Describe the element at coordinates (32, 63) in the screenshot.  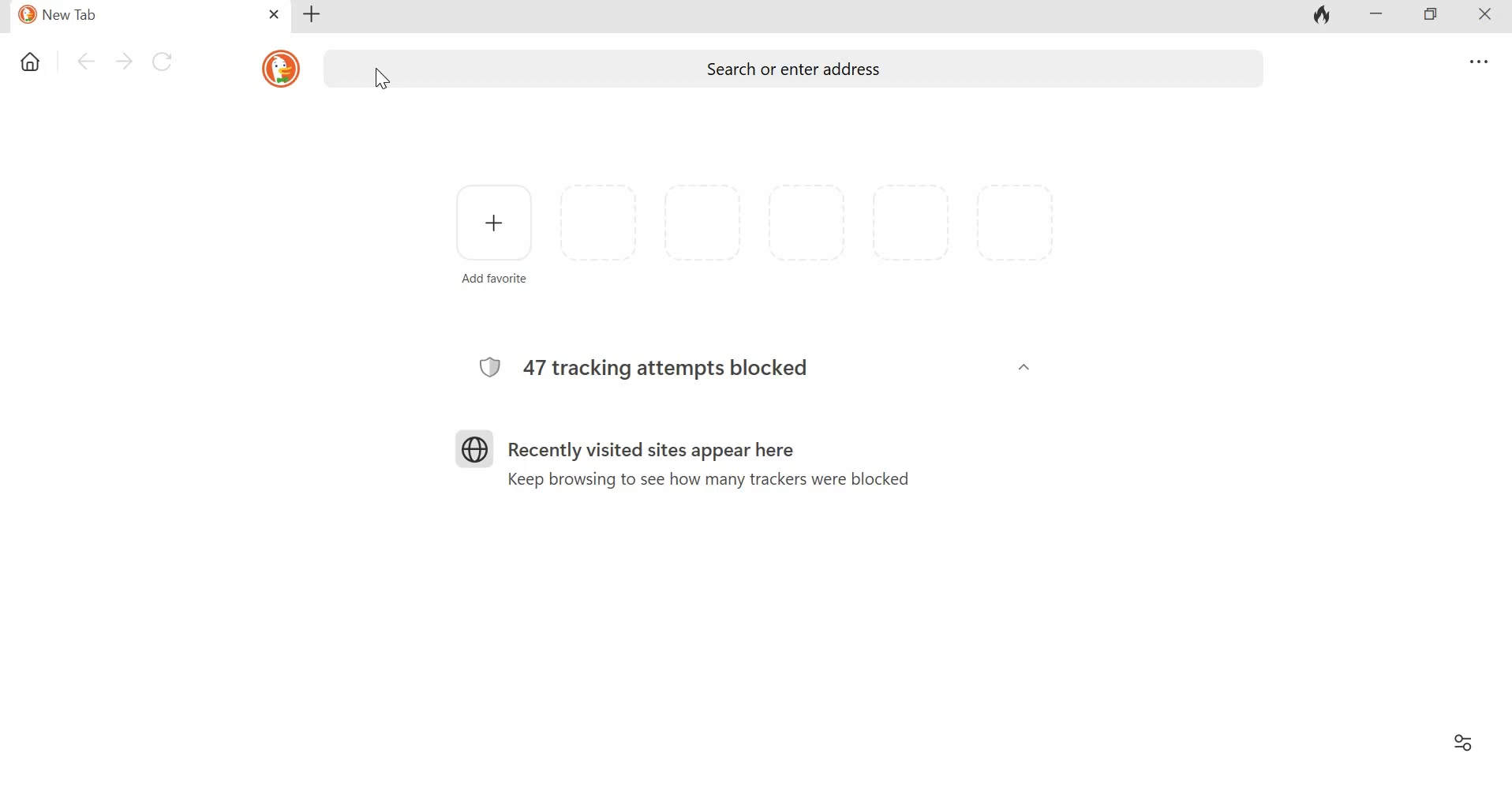
I see `home icon` at that location.